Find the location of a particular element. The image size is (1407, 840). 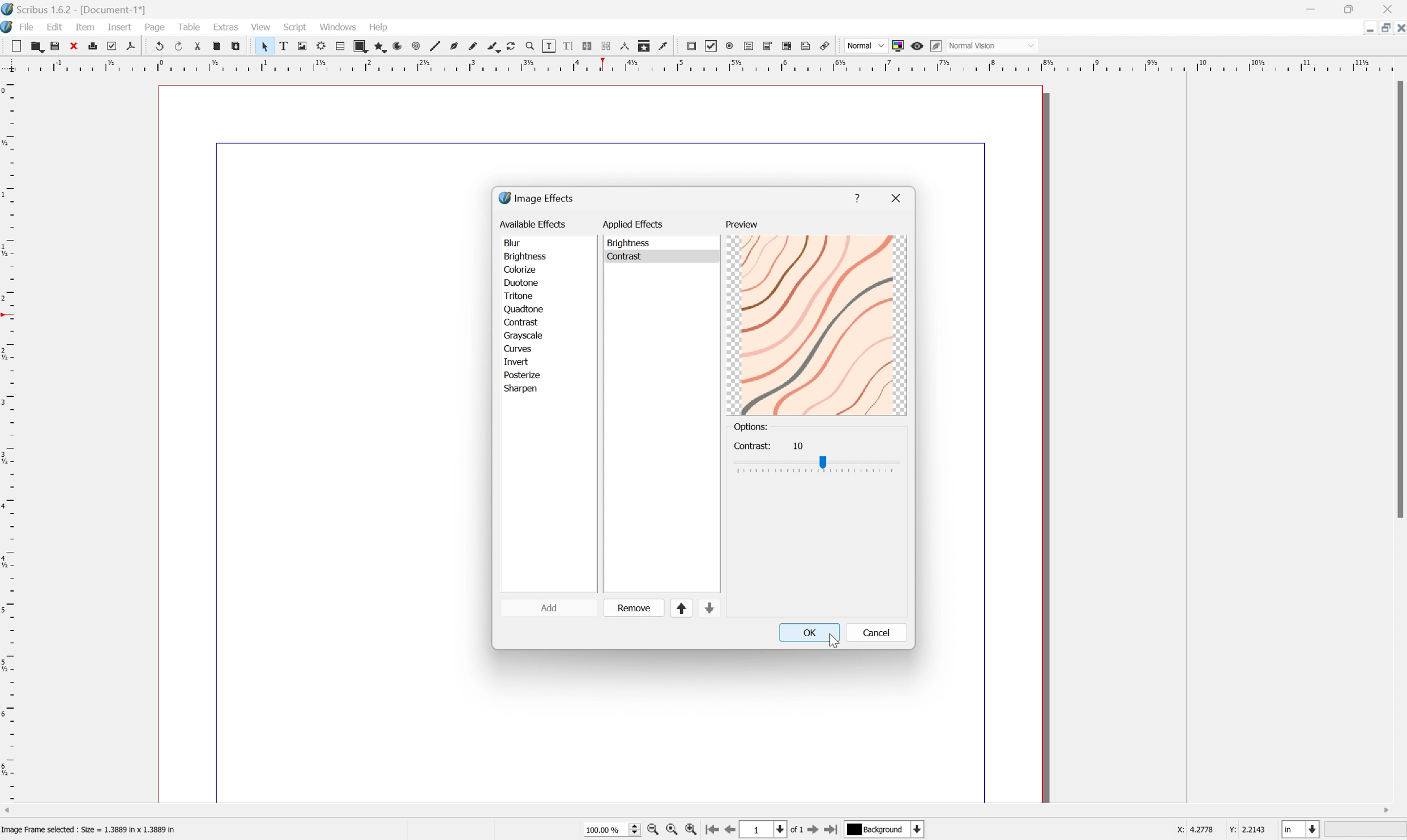

sort is located at coordinates (698, 608).